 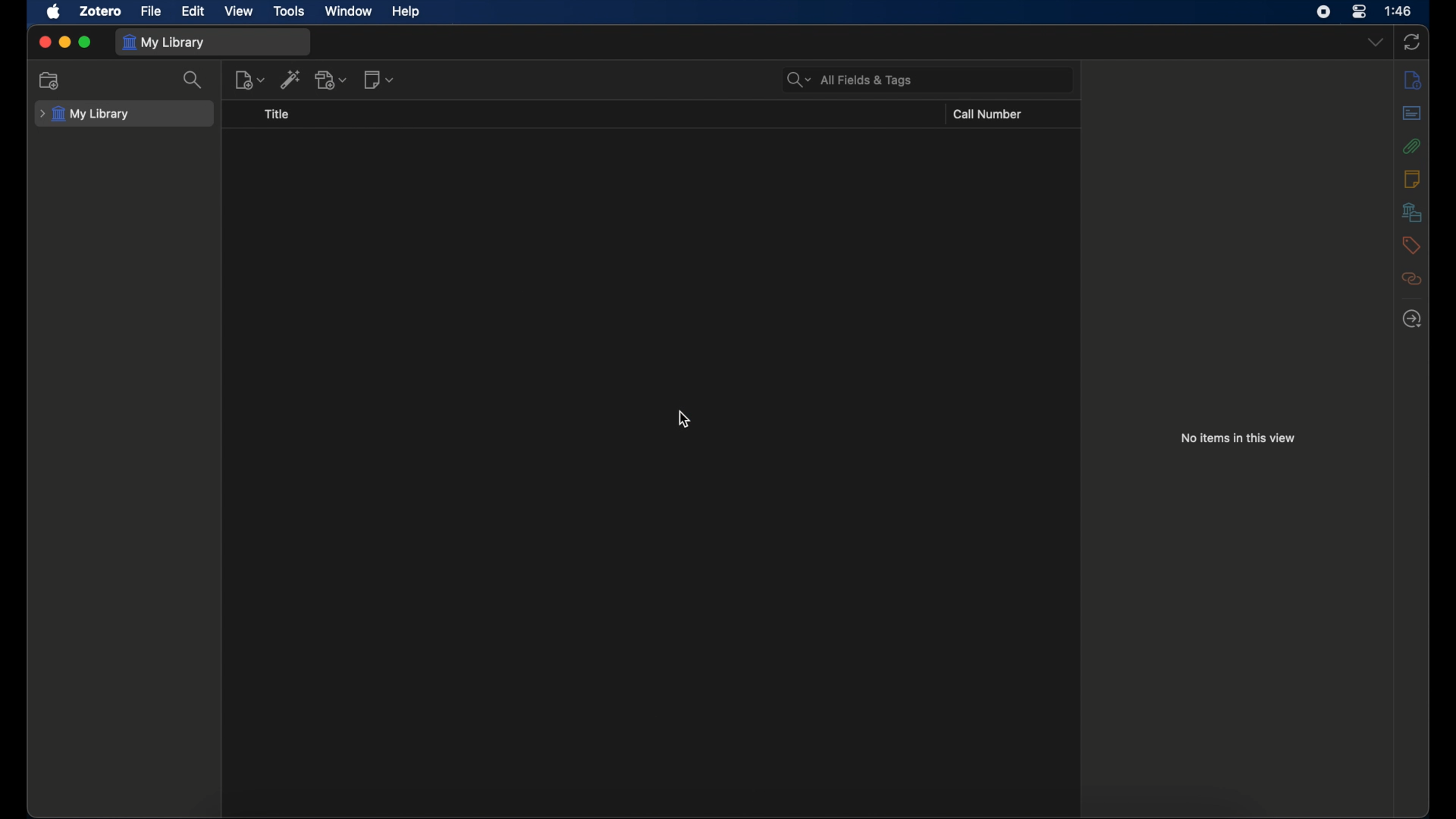 What do you see at coordinates (988, 115) in the screenshot?
I see `call number` at bounding box center [988, 115].